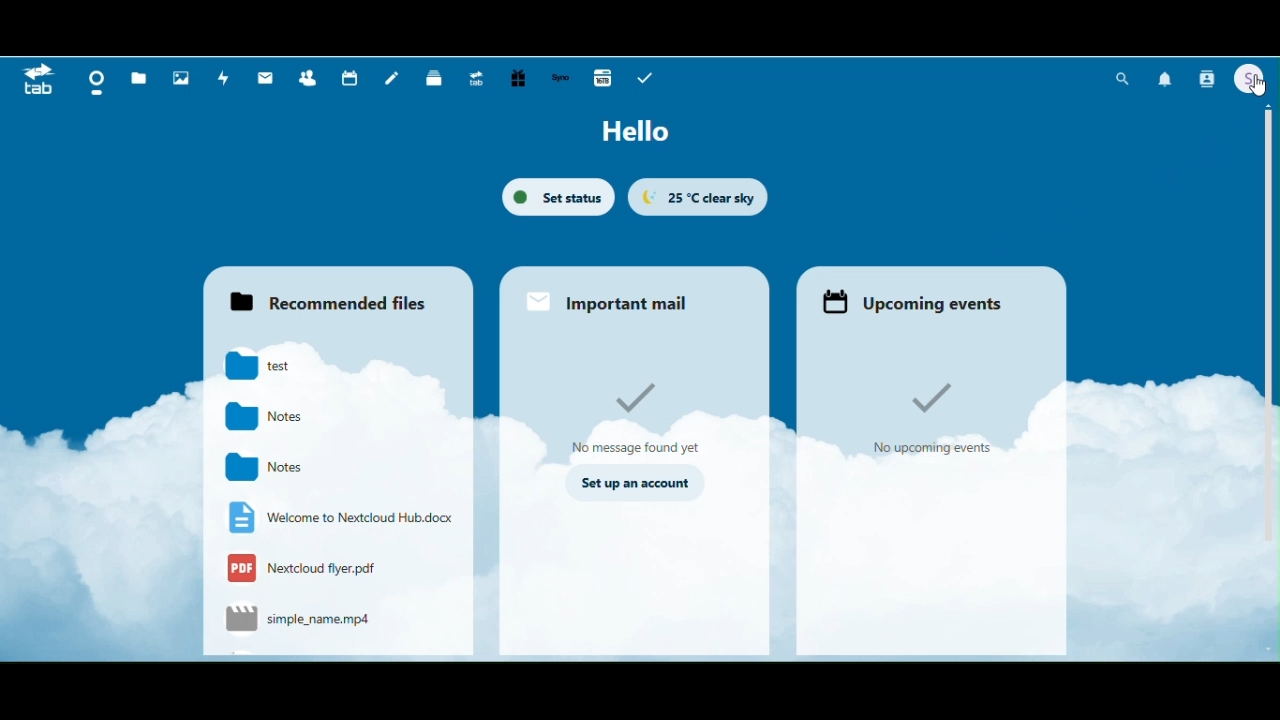 This screenshot has height=720, width=1280. I want to click on Search, so click(1124, 78).